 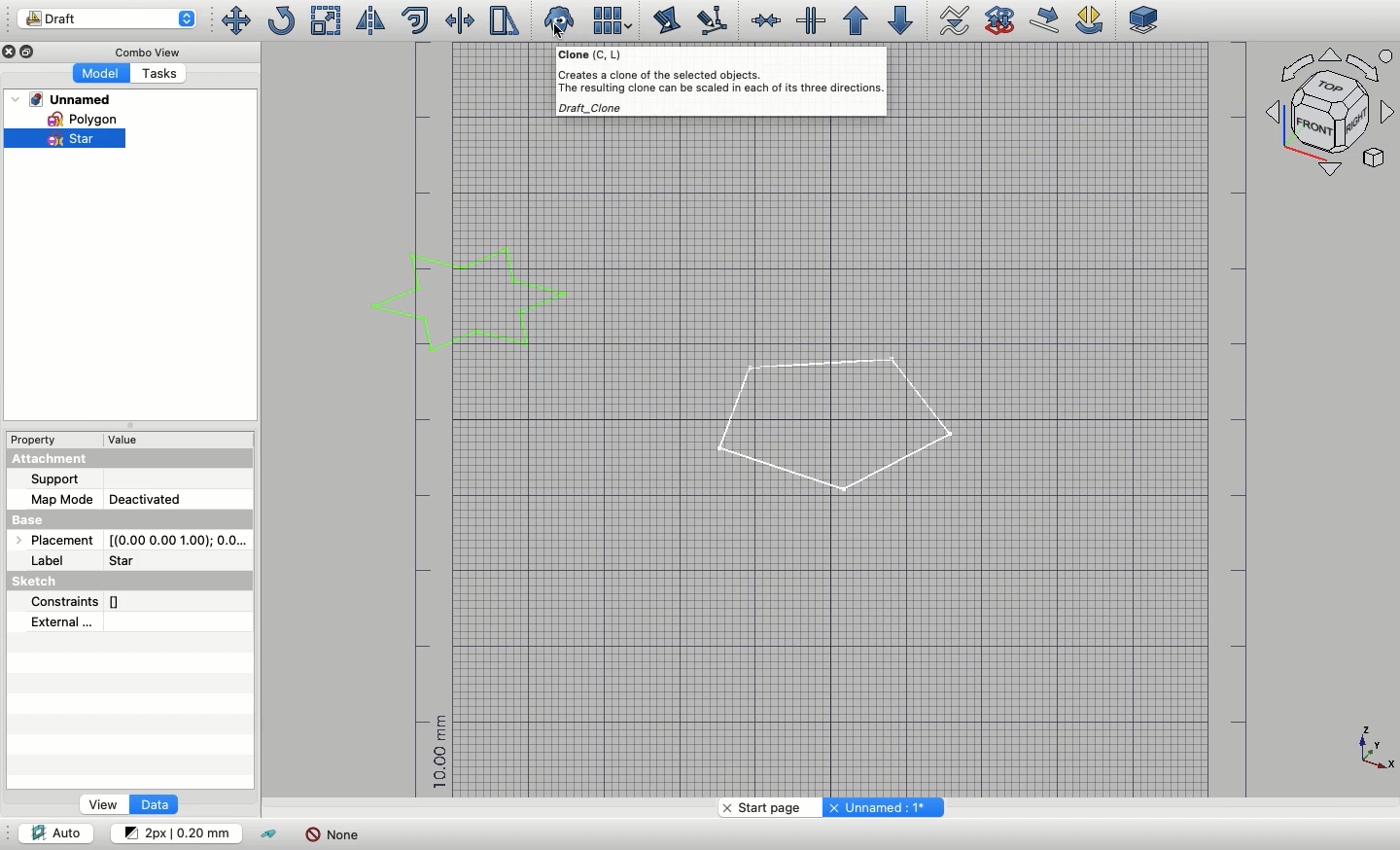 I want to click on Value, so click(x=130, y=440).